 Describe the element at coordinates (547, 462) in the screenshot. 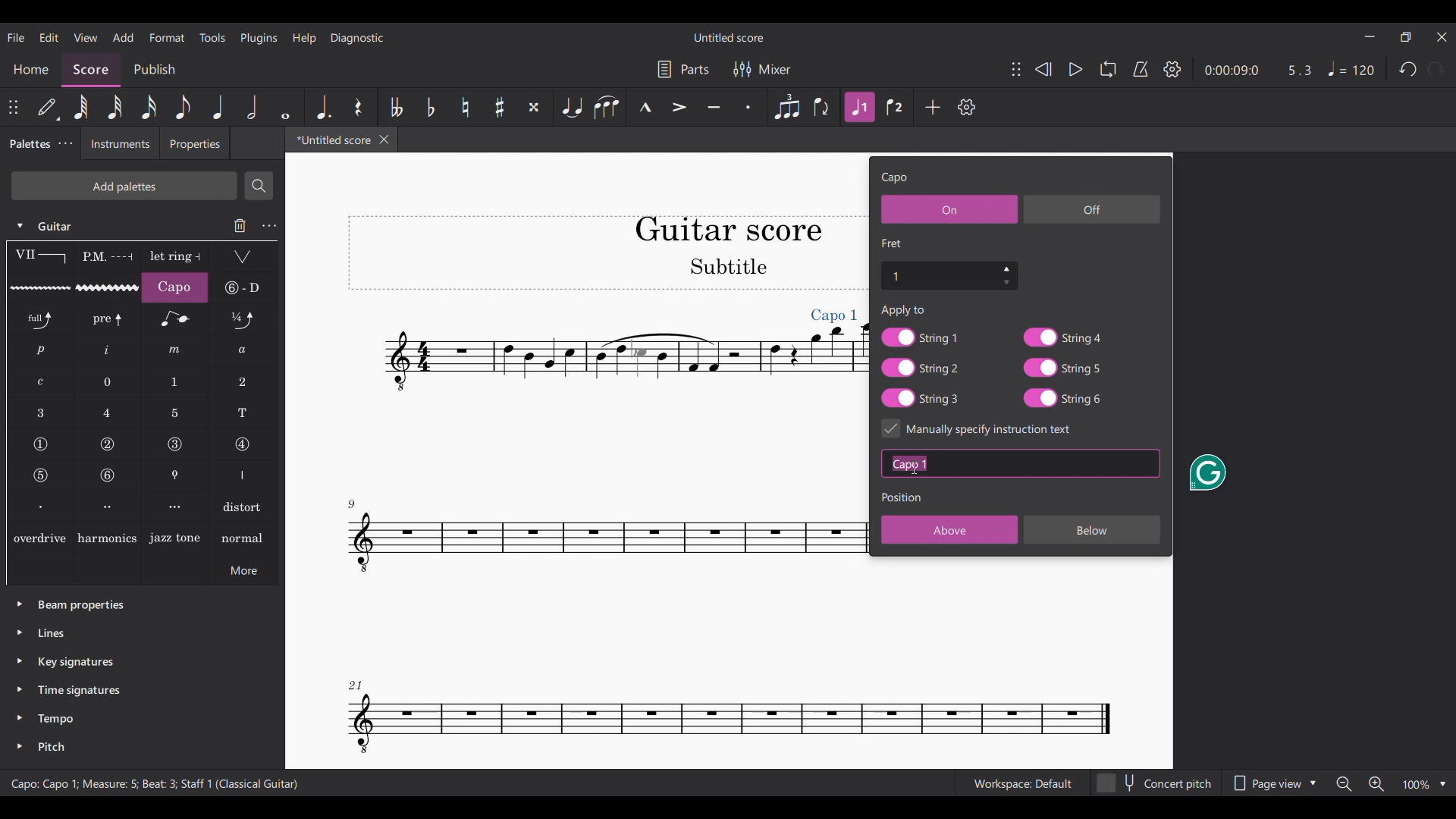

I see `Current score` at that location.